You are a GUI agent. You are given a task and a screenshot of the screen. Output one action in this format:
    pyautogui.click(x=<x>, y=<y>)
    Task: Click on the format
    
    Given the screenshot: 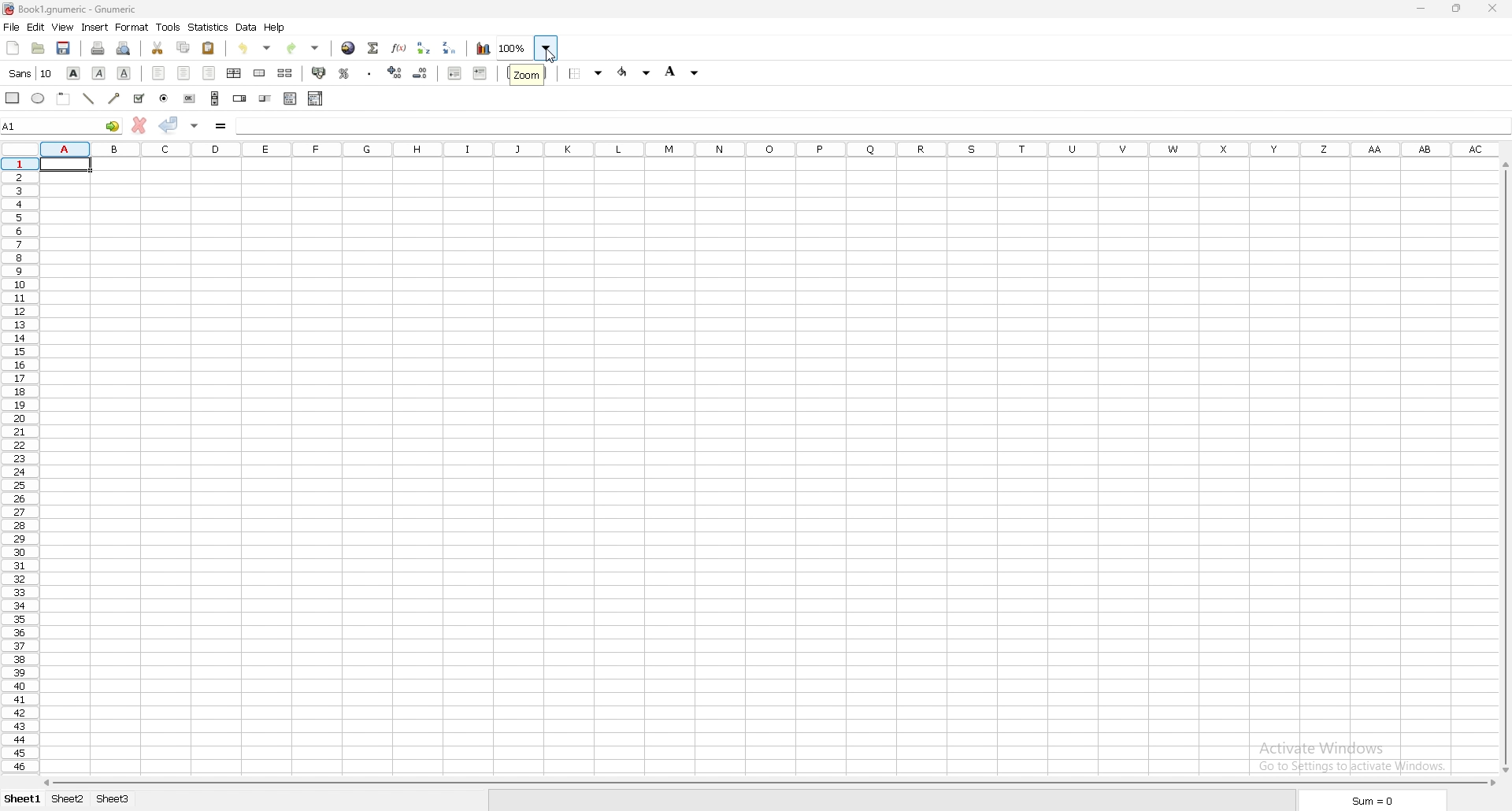 What is the action you would take?
    pyautogui.click(x=132, y=27)
    